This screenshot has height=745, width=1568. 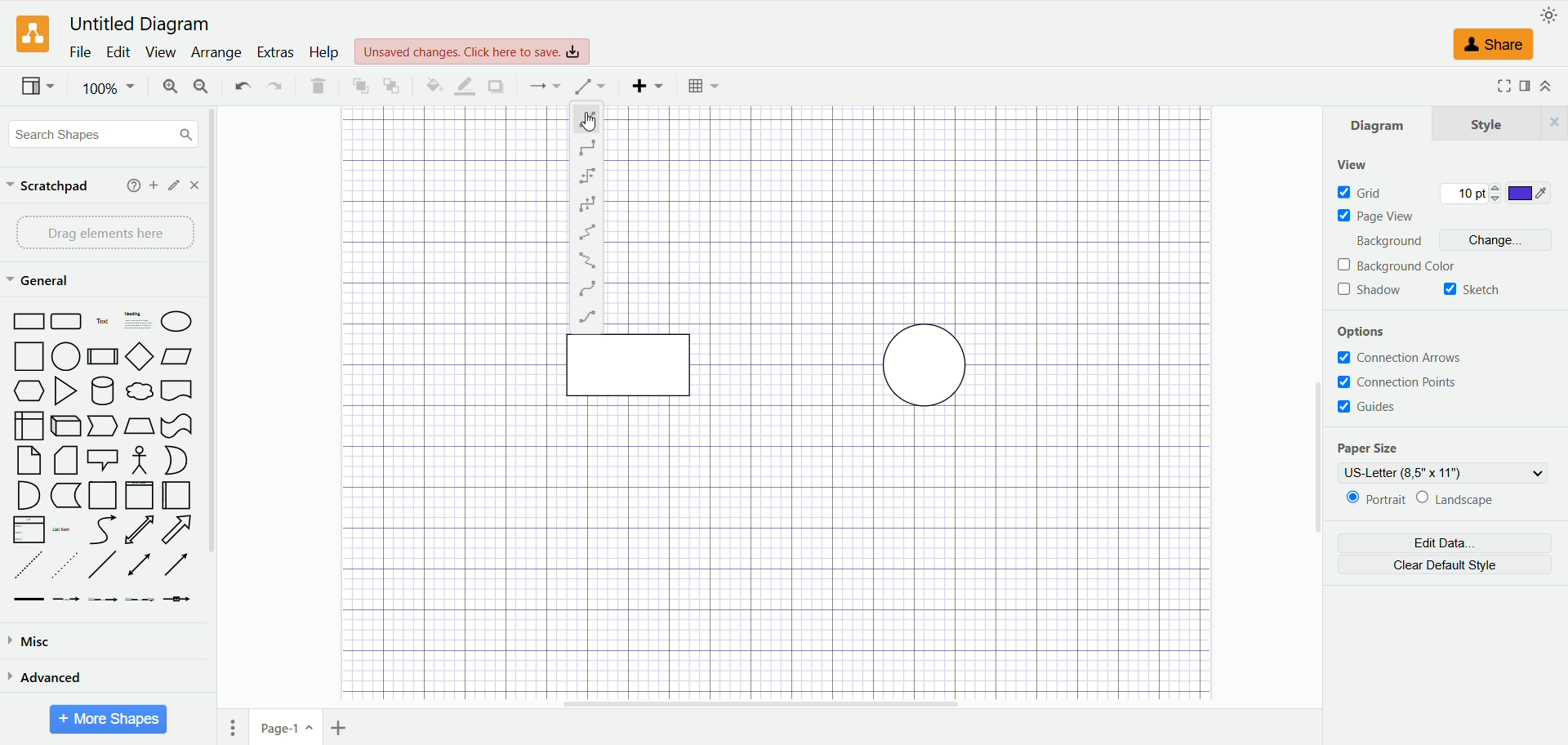 I want to click on Isometric Waypoint, so click(x=587, y=261).